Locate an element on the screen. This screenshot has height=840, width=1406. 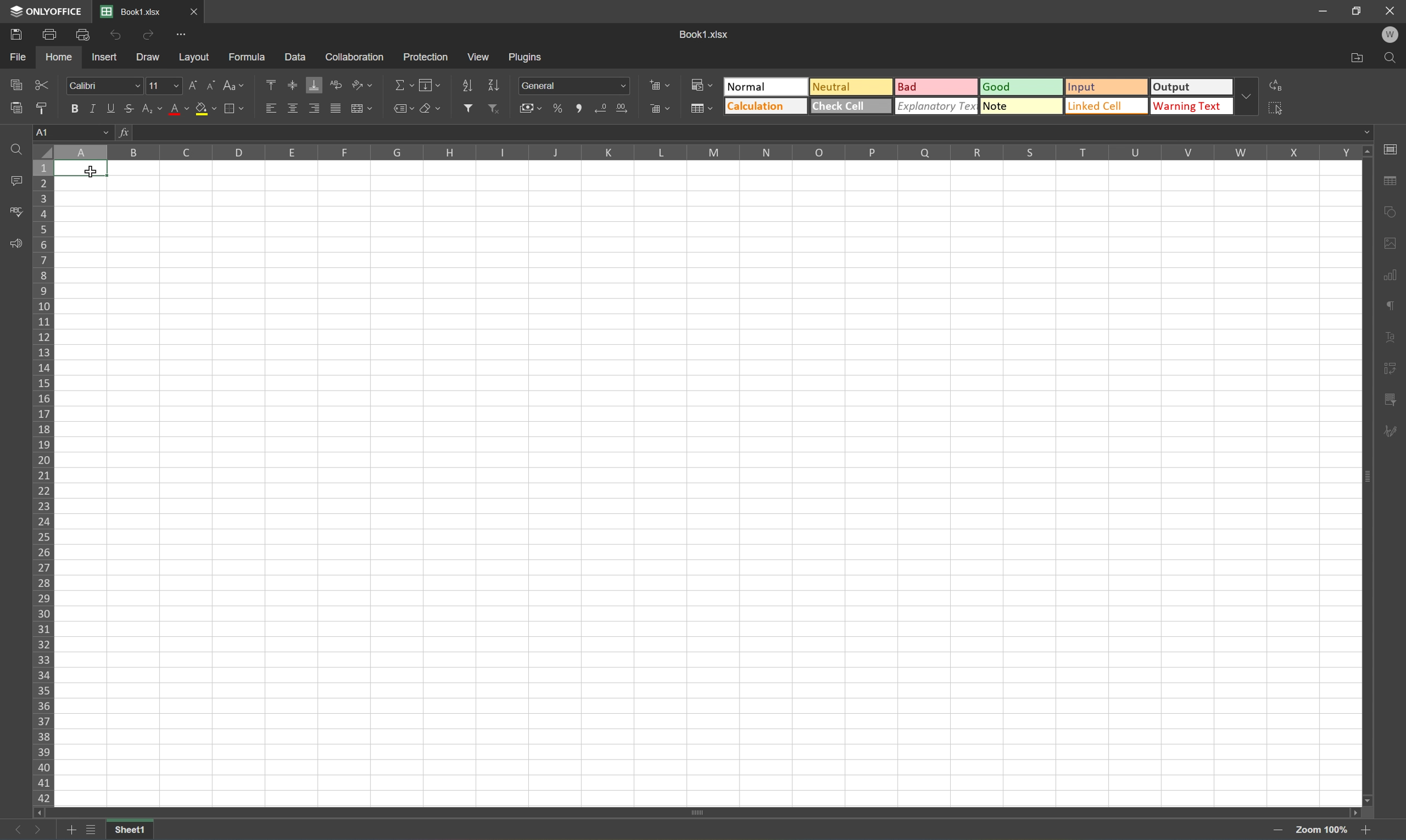
Zoom out is located at coordinates (1361, 832).